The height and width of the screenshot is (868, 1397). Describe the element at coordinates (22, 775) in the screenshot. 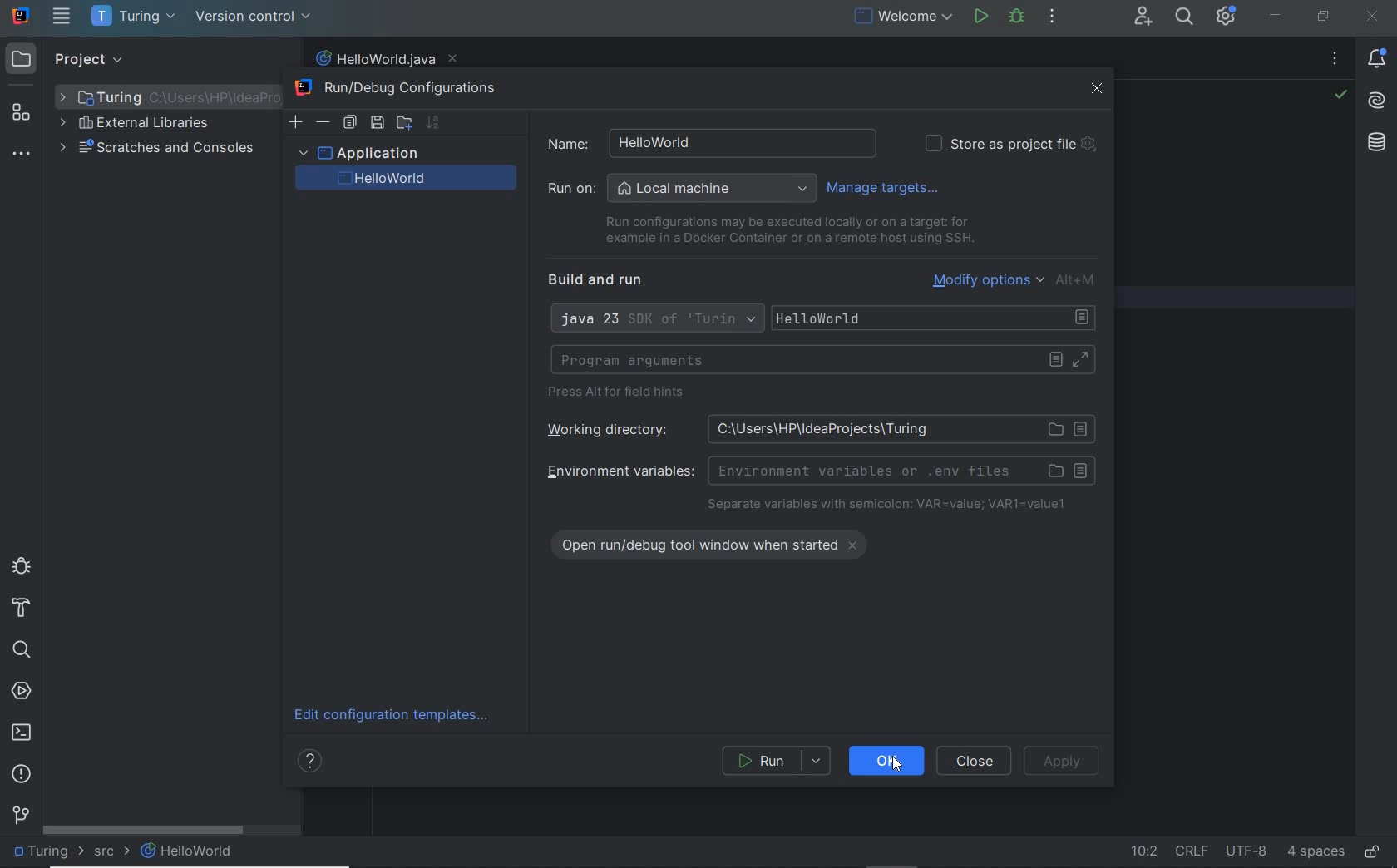

I see `problems` at that location.